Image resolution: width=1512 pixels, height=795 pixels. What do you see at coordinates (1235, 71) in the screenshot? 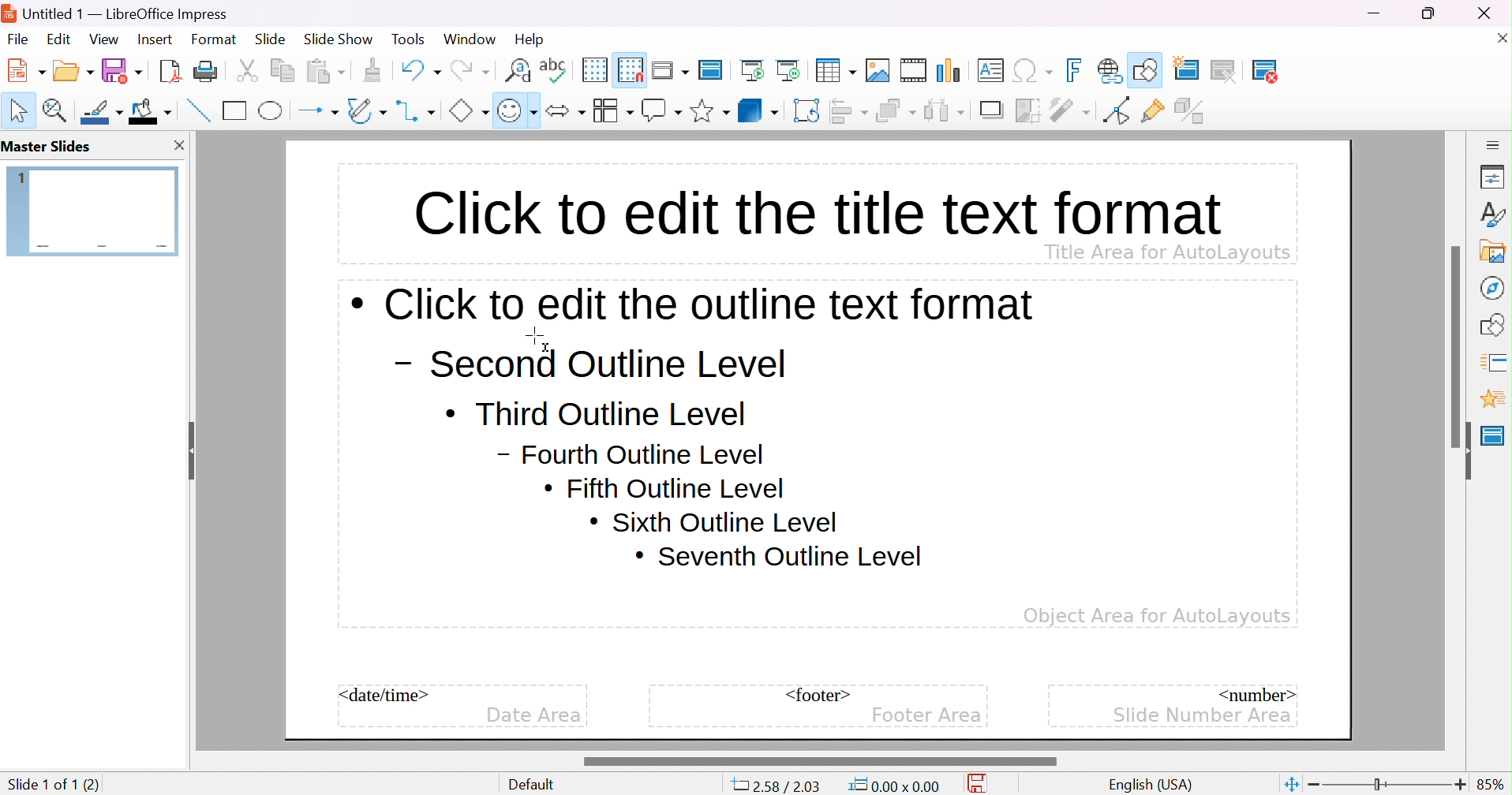
I see `duplicate slide` at bounding box center [1235, 71].